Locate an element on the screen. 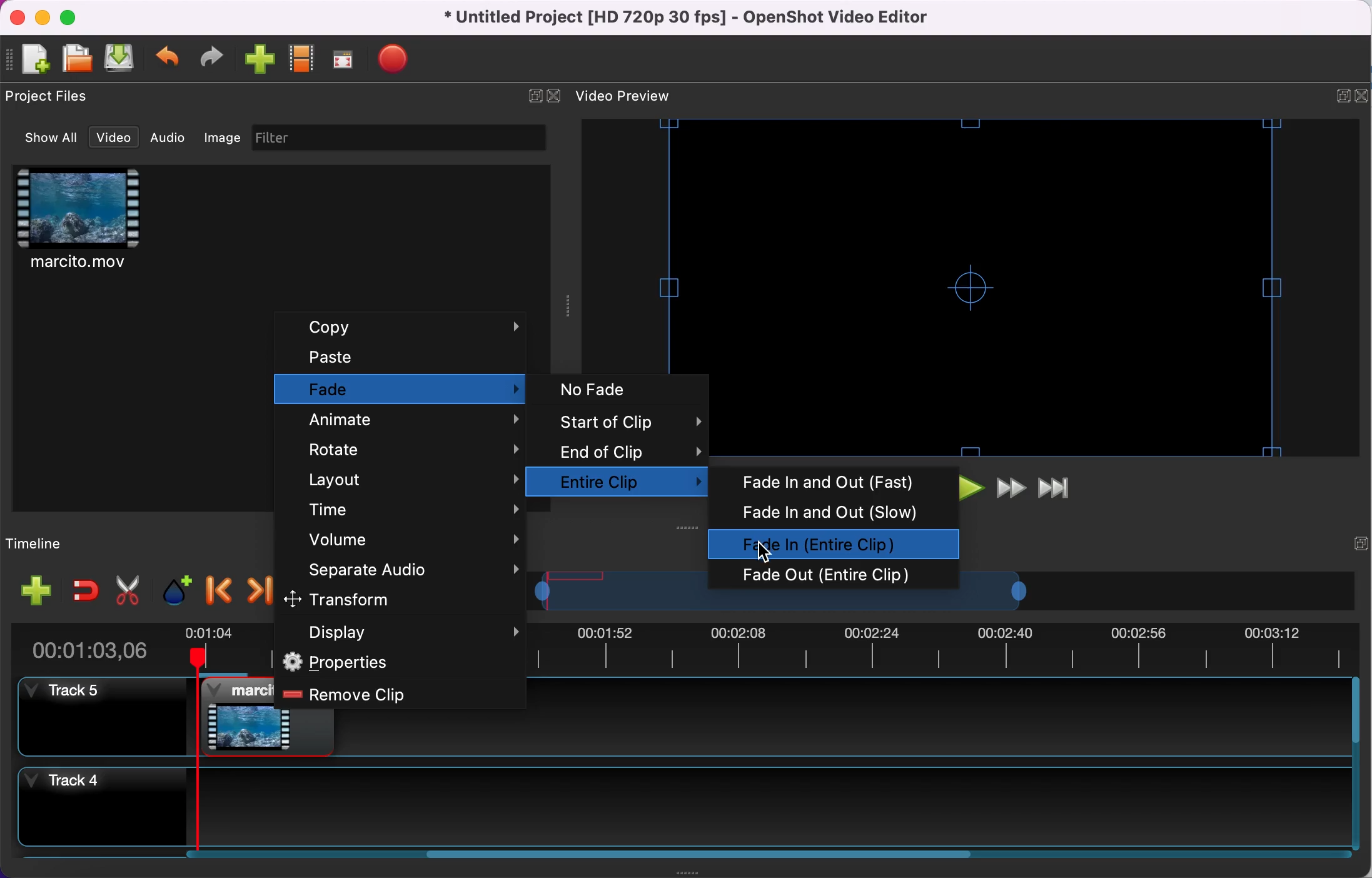 The width and height of the screenshot is (1372, 878). choose profile is located at coordinates (302, 60).